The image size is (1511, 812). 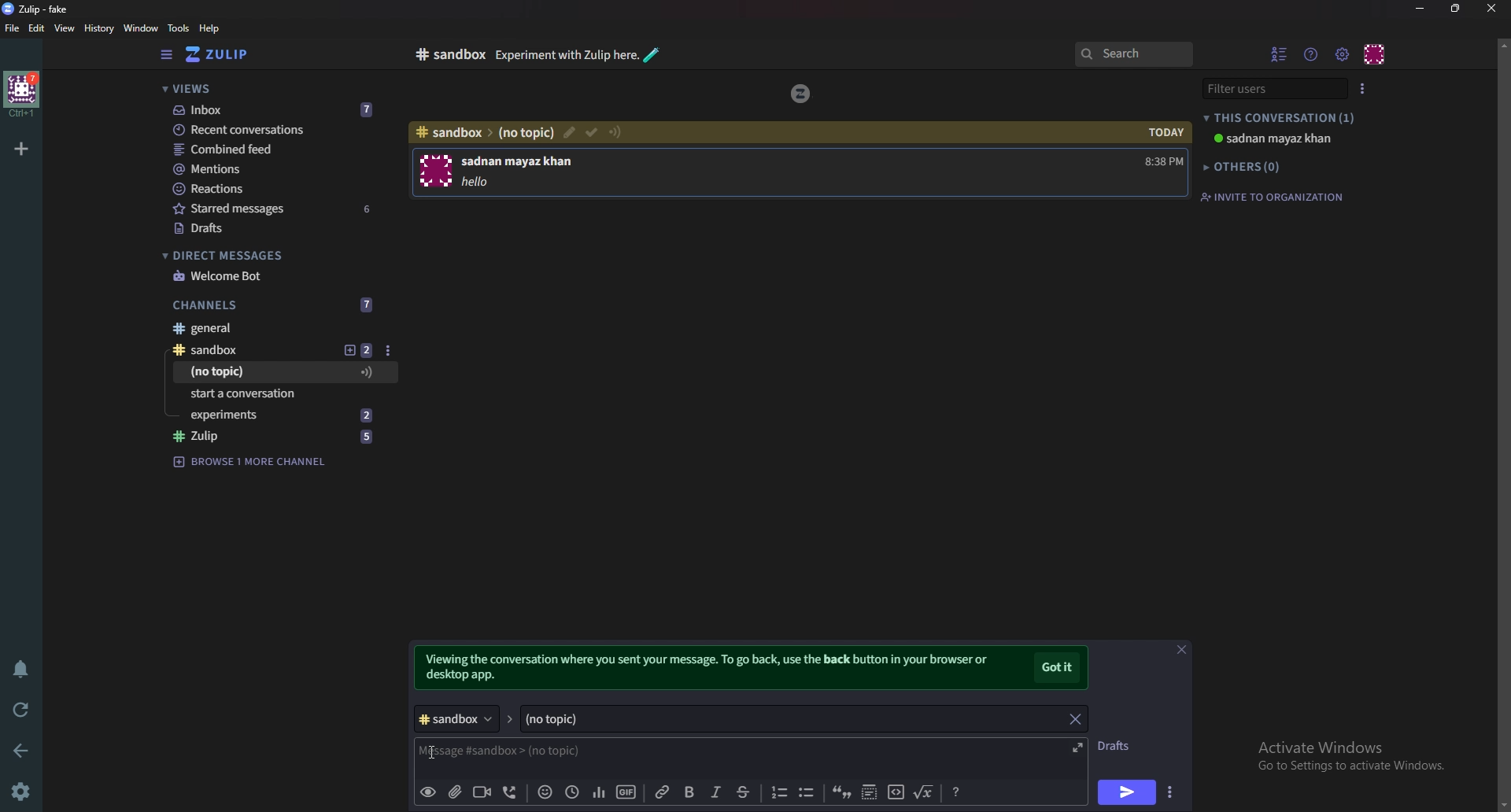 I want to click on Drafts, so click(x=1116, y=748).